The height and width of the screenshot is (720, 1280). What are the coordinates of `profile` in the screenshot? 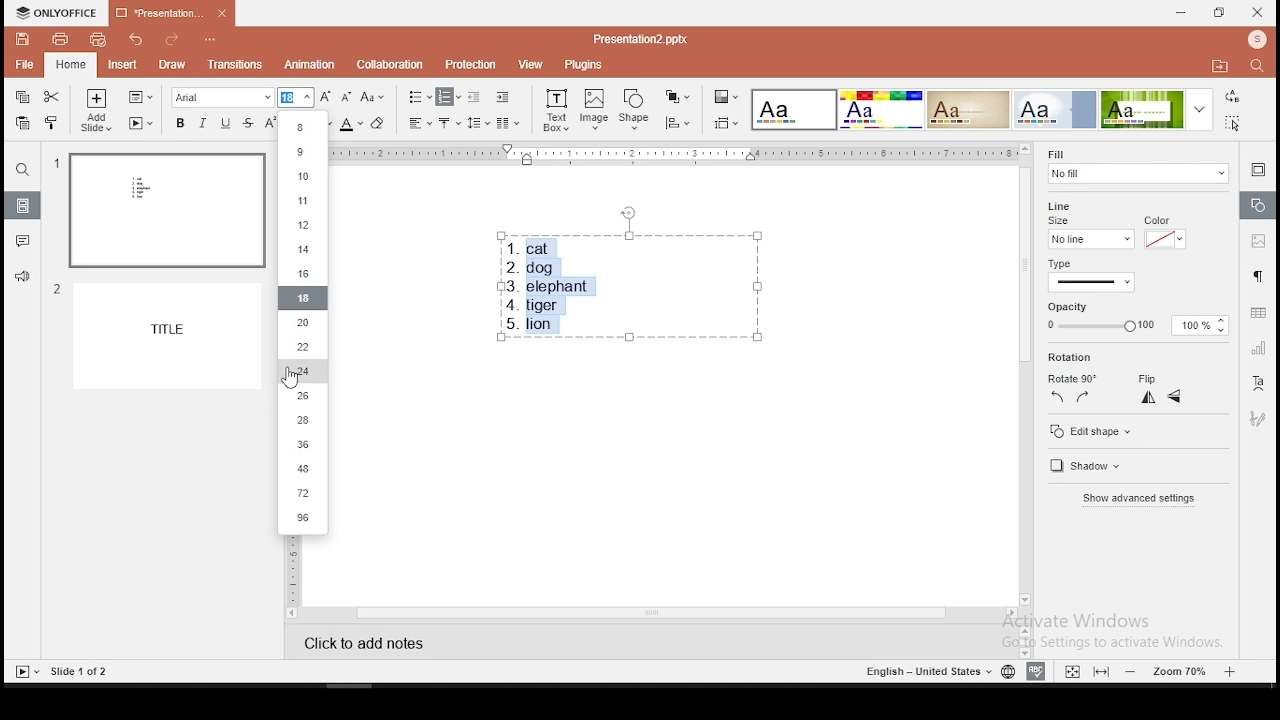 It's located at (1254, 39).